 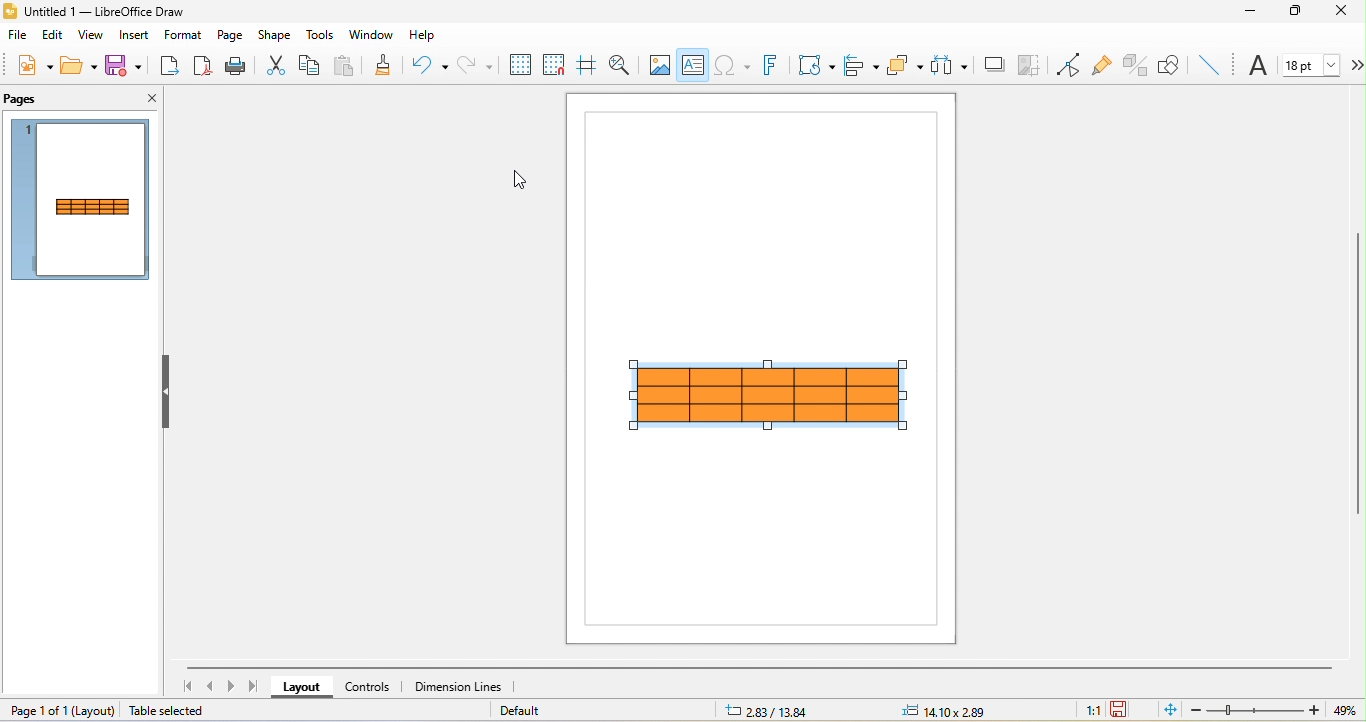 I want to click on hide, so click(x=168, y=395).